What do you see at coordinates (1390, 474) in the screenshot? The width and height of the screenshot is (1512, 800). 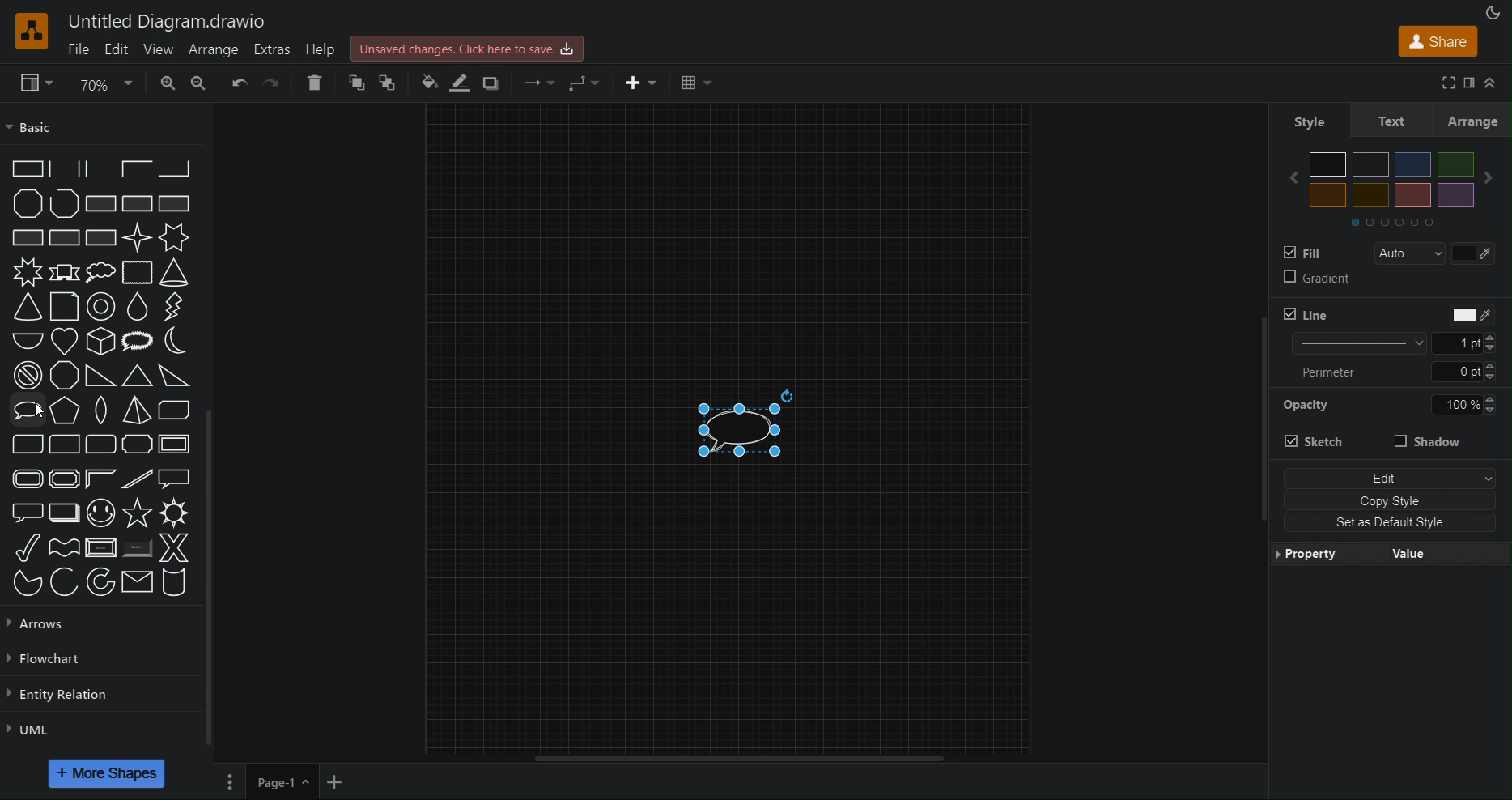 I see `Edit` at bounding box center [1390, 474].